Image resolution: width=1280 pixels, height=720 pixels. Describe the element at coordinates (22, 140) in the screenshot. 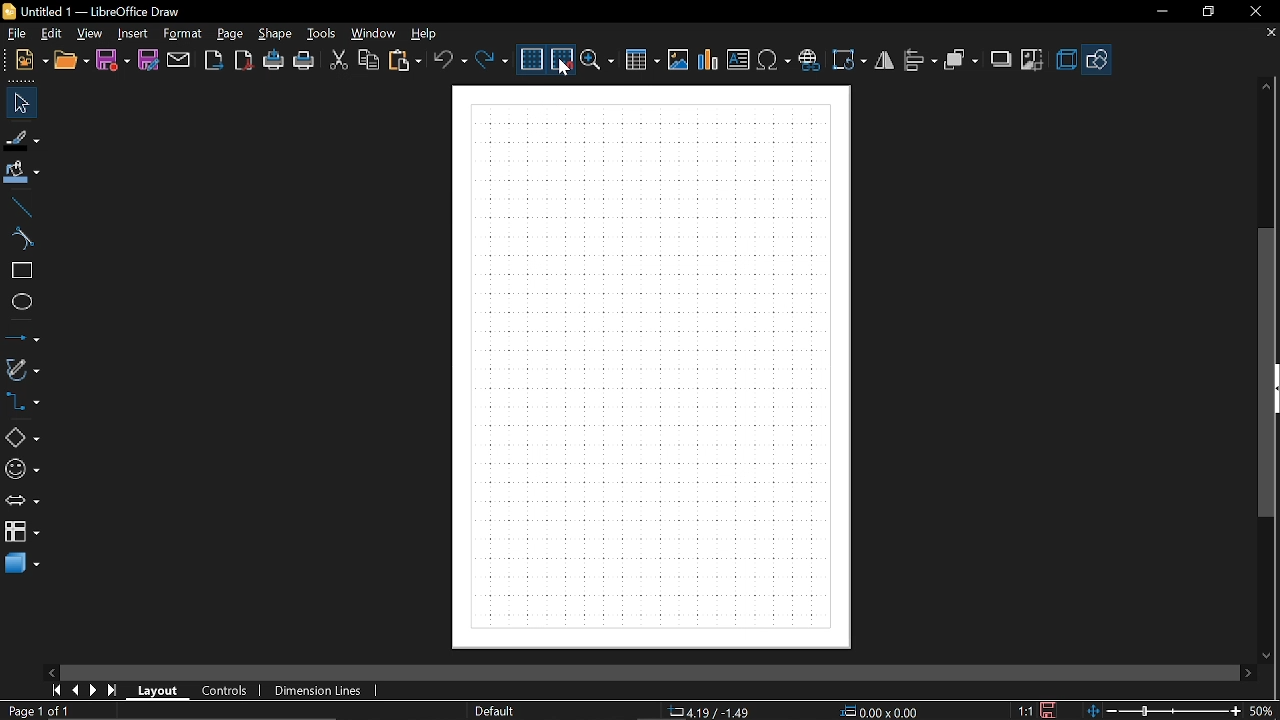

I see `fill line` at that location.